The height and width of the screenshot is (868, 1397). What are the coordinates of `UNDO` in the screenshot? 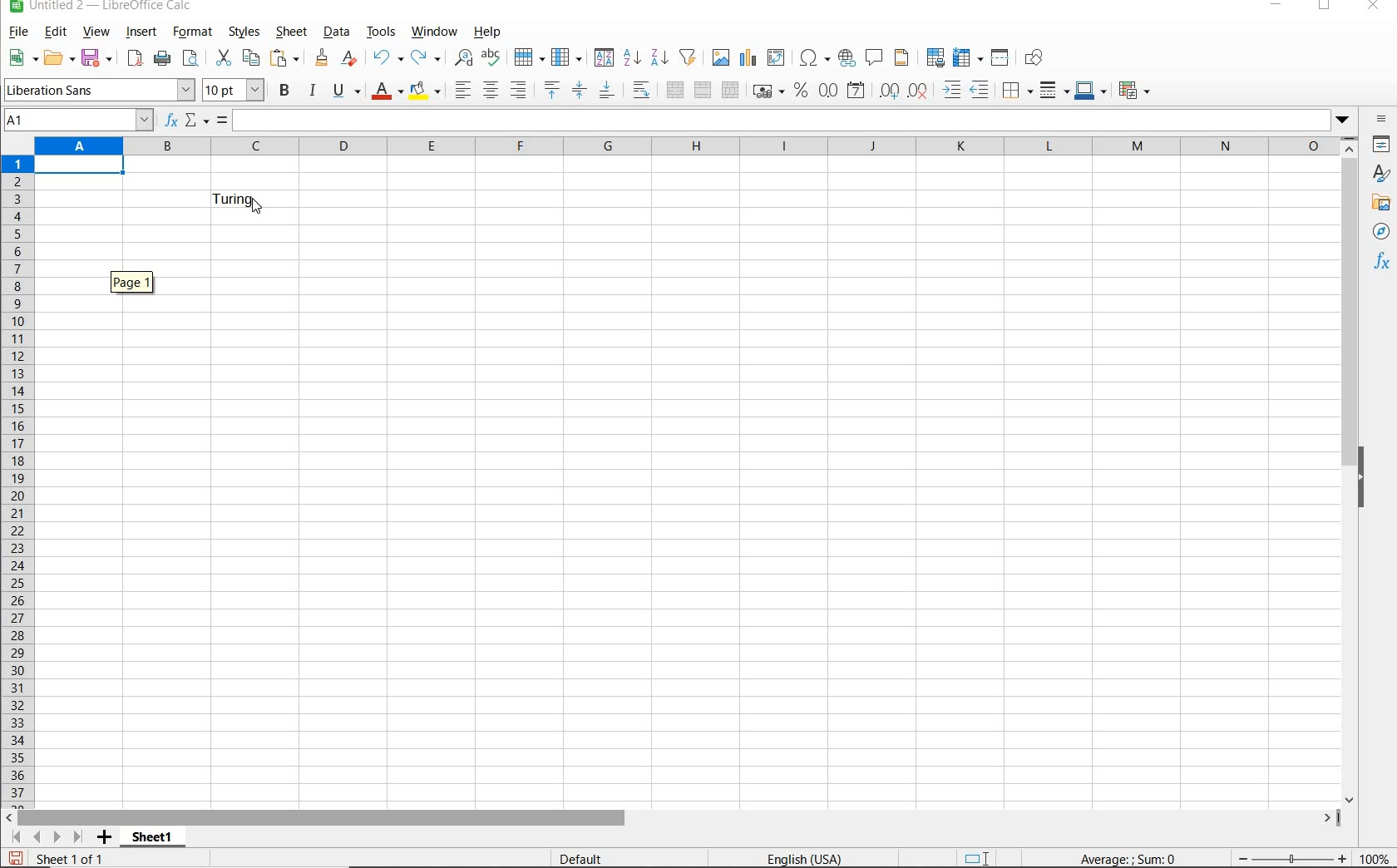 It's located at (388, 58).